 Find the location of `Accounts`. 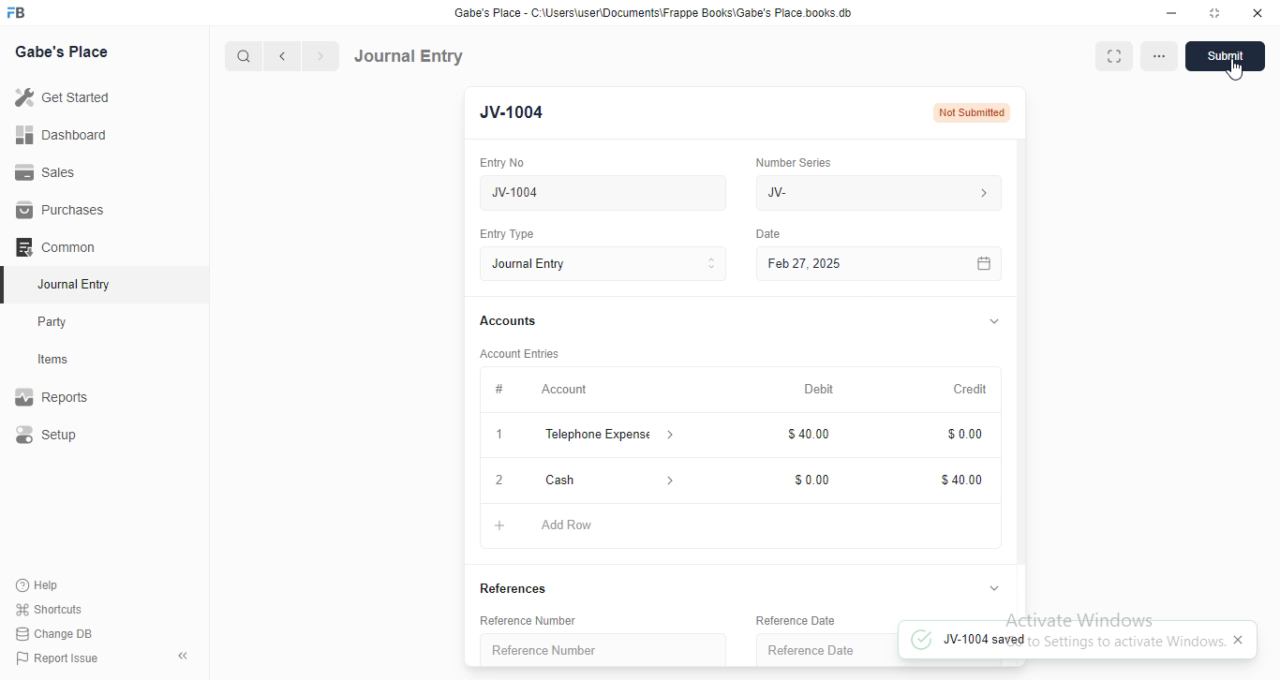

Accounts is located at coordinates (507, 321).